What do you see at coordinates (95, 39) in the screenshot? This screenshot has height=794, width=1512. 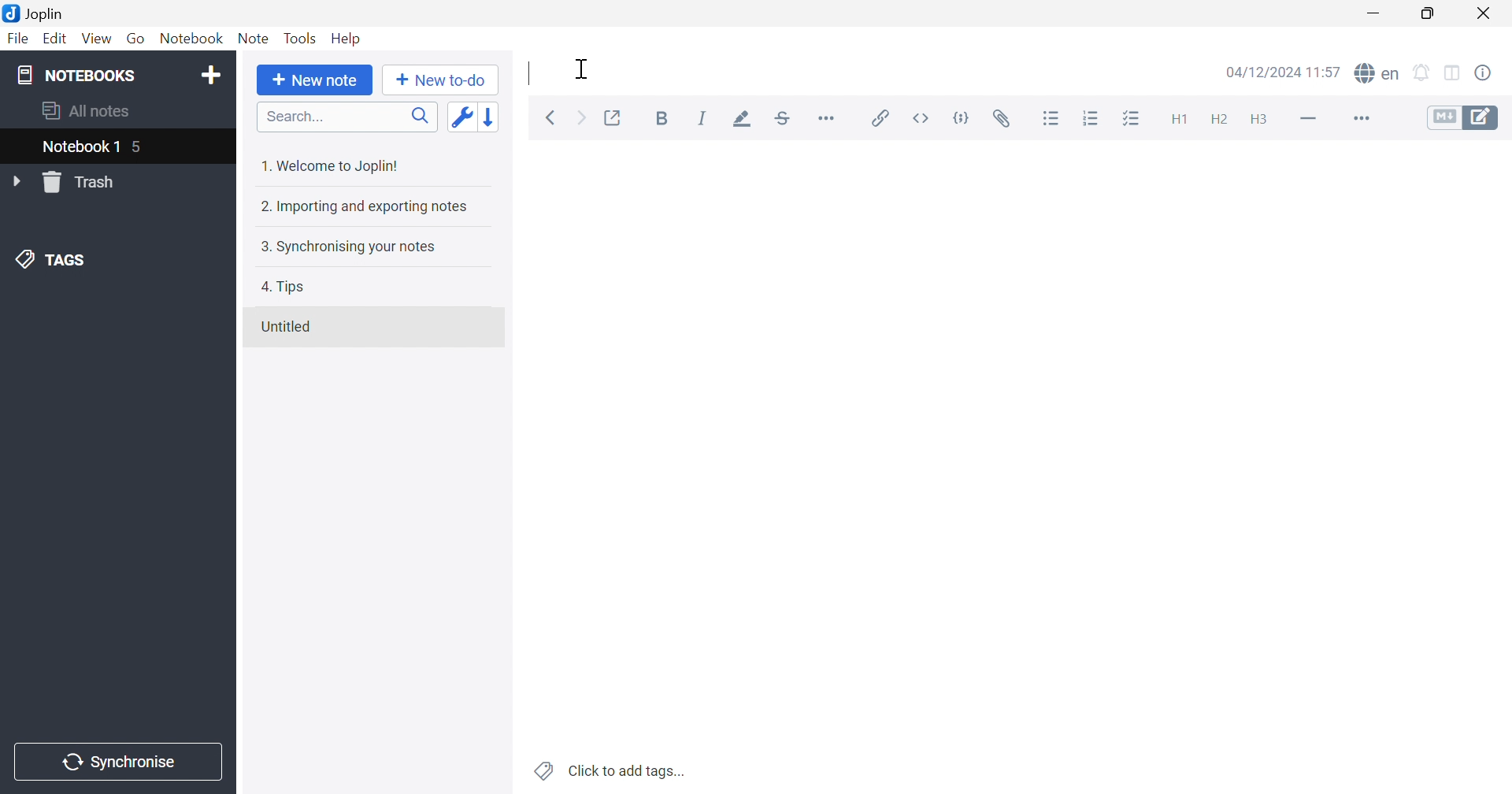 I see `View` at bounding box center [95, 39].